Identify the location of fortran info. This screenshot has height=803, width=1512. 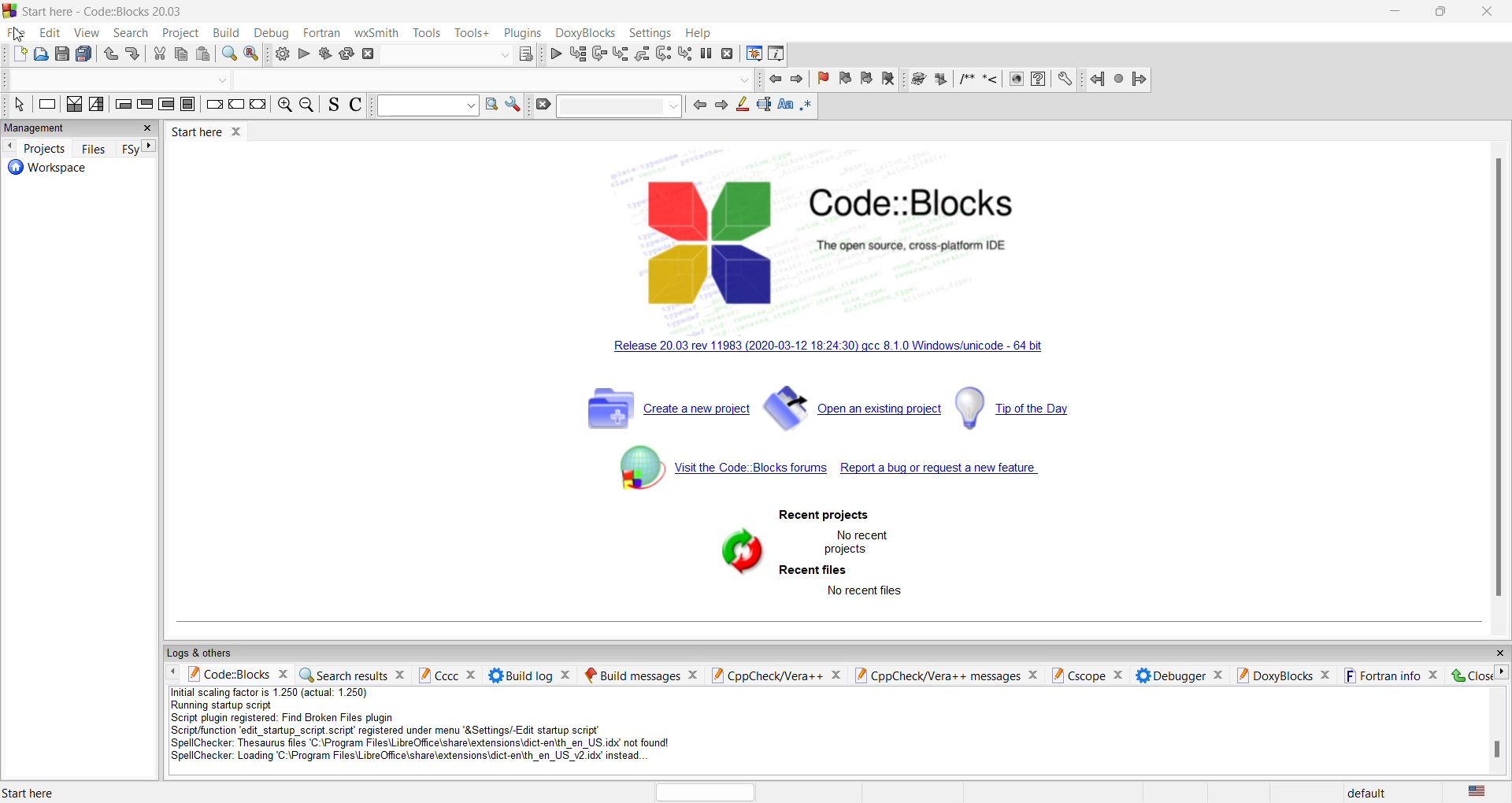
(1391, 675).